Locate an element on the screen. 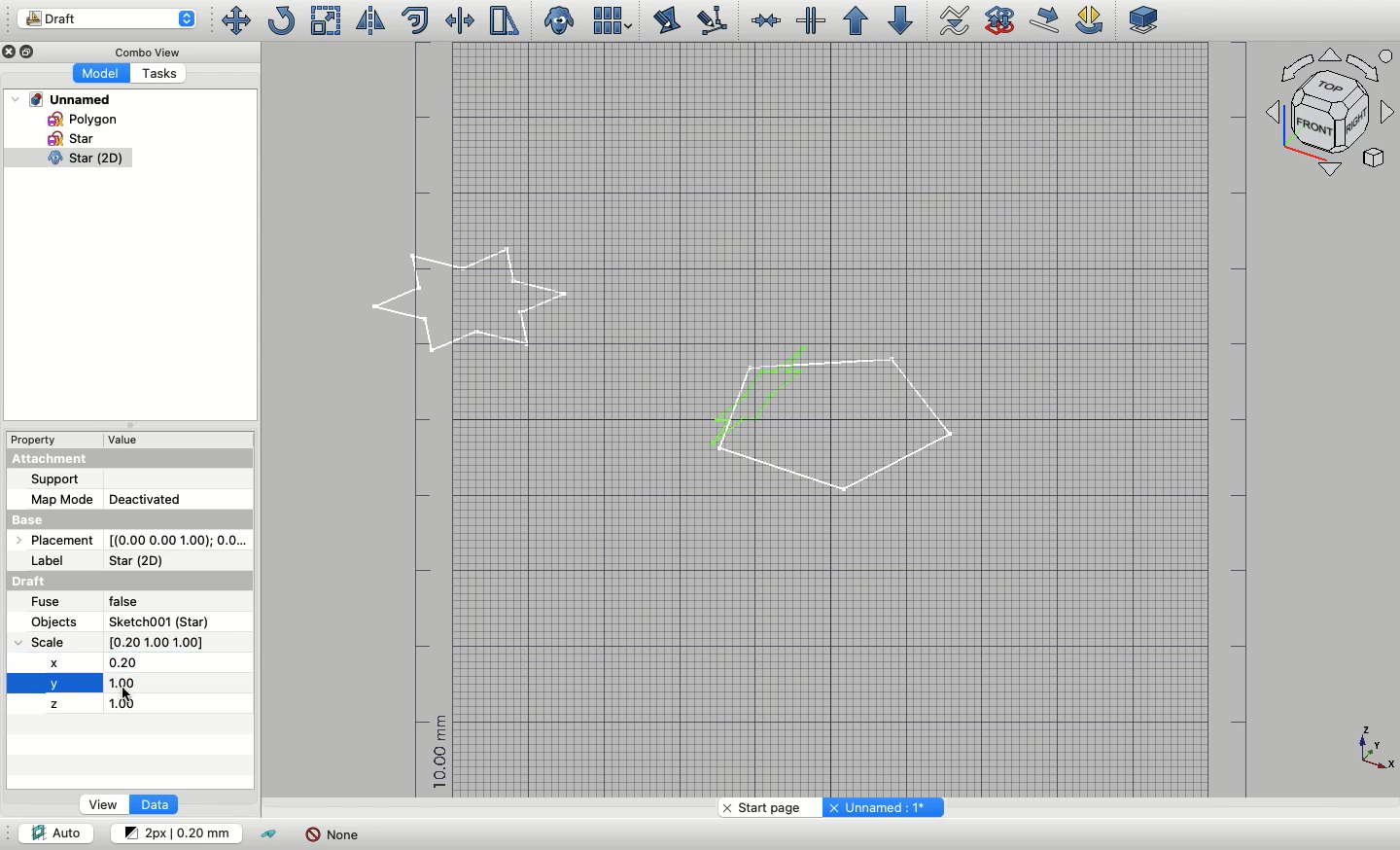  Navigation styles is located at coordinates (1332, 115).